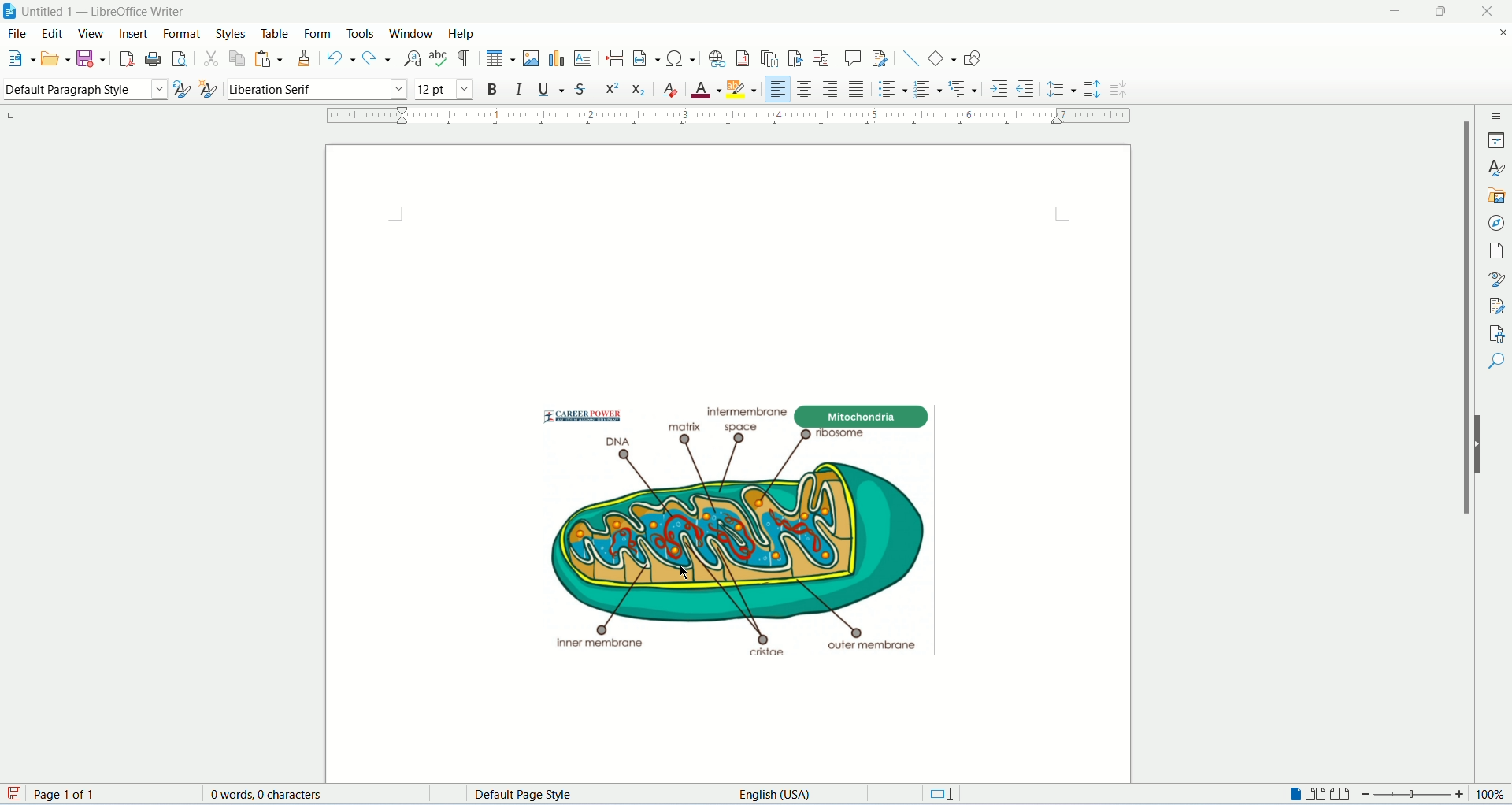 This screenshot has width=1512, height=805. What do you see at coordinates (459, 33) in the screenshot?
I see `help` at bounding box center [459, 33].